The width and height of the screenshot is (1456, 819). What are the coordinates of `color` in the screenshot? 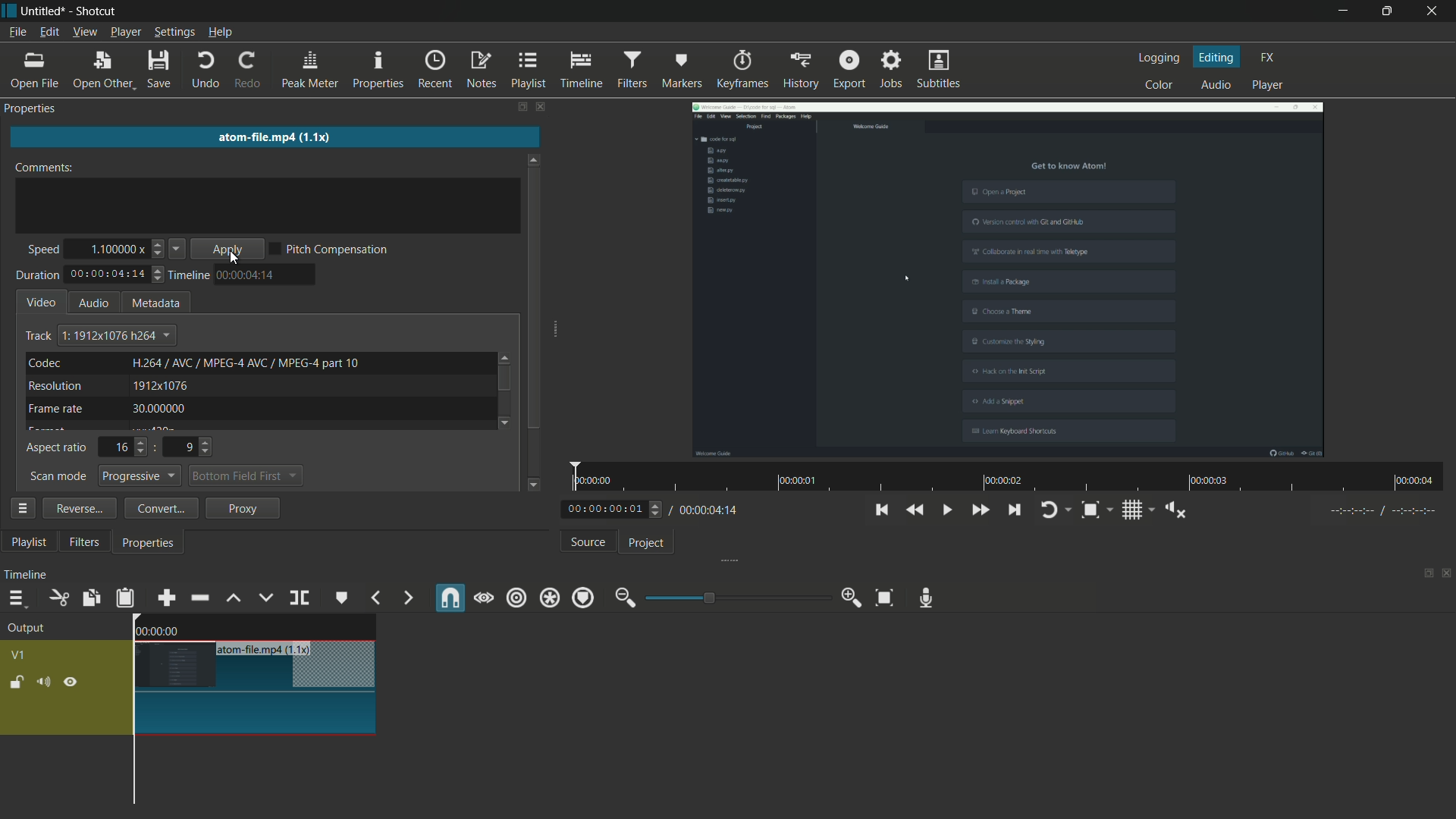 It's located at (1162, 85).